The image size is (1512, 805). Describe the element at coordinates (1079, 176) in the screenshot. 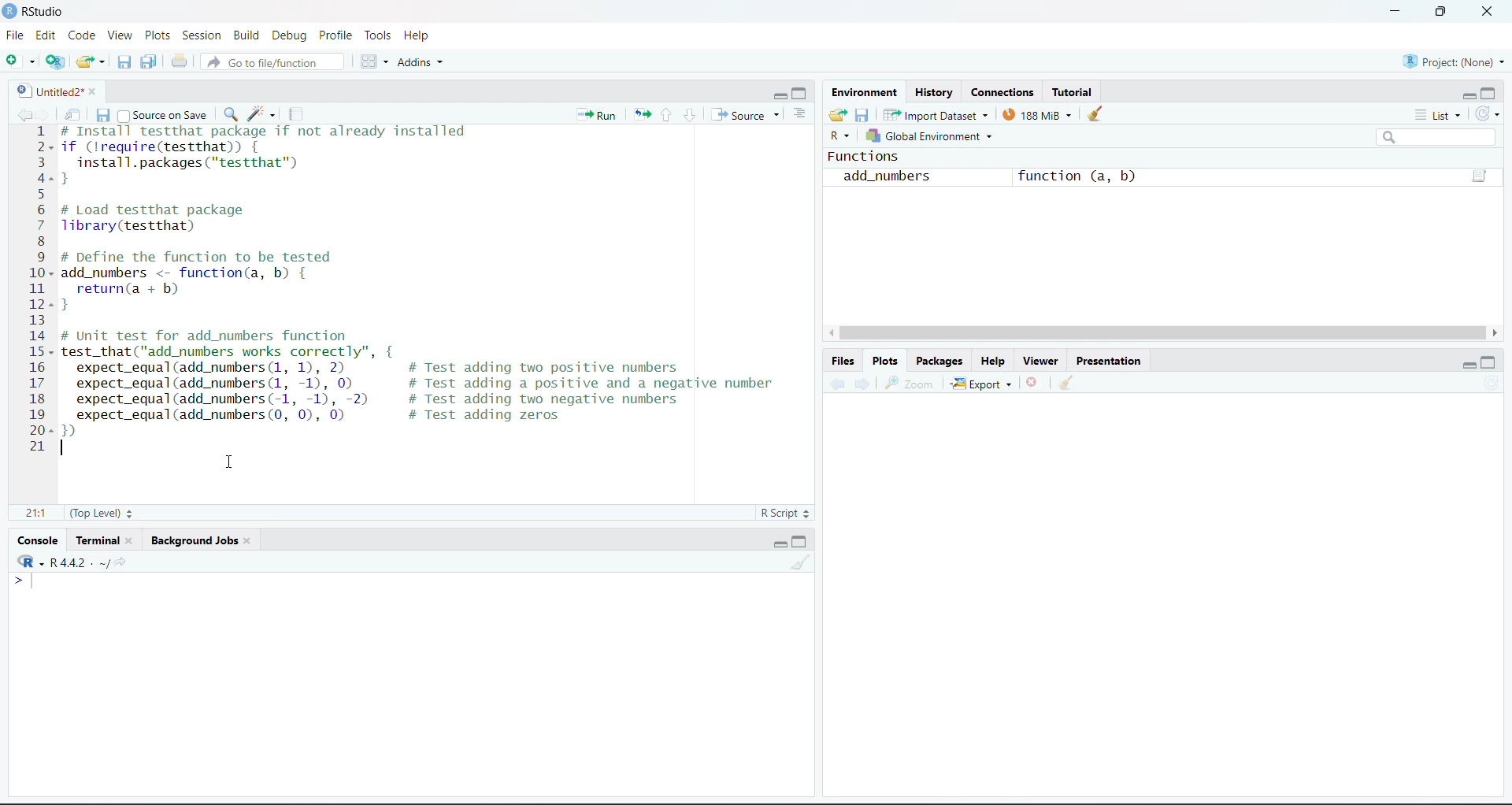

I see `function (a, b)` at that location.